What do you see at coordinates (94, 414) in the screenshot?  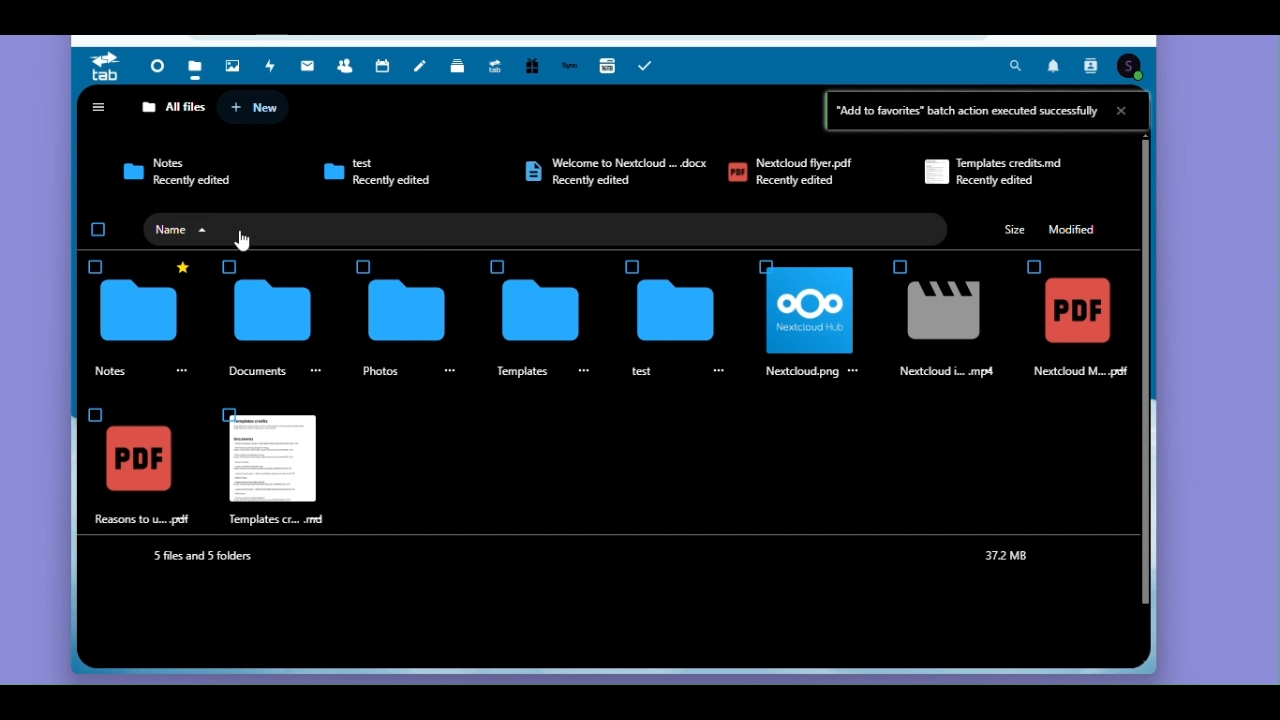 I see `Check Box` at bounding box center [94, 414].